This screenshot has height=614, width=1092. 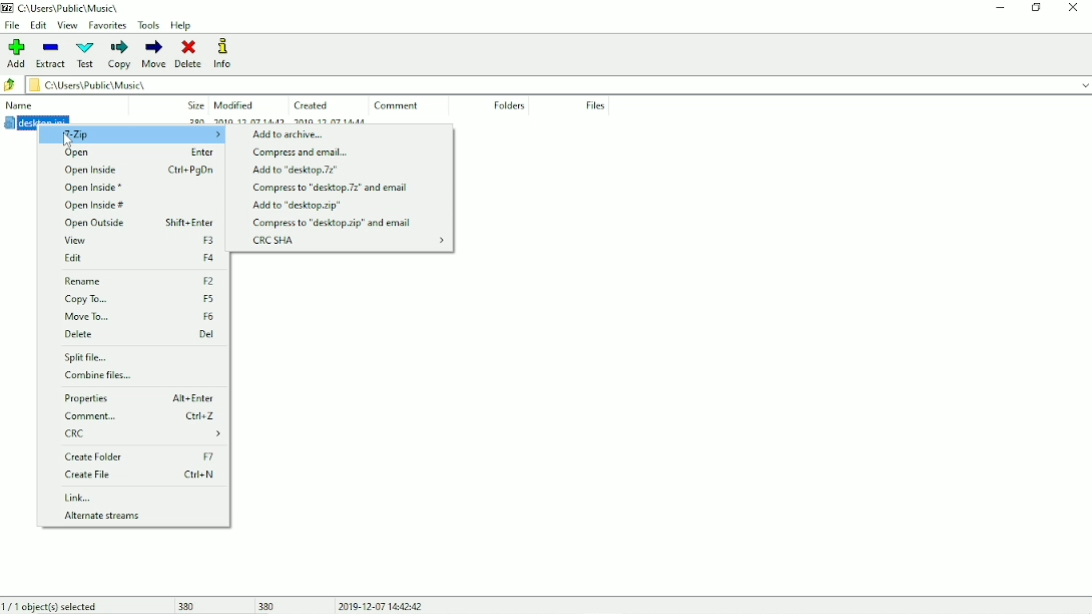 What do you see at coordinates (247, 119) in the screenshot?
I see `2019-12-07 142` at bounding box center [247, 119].